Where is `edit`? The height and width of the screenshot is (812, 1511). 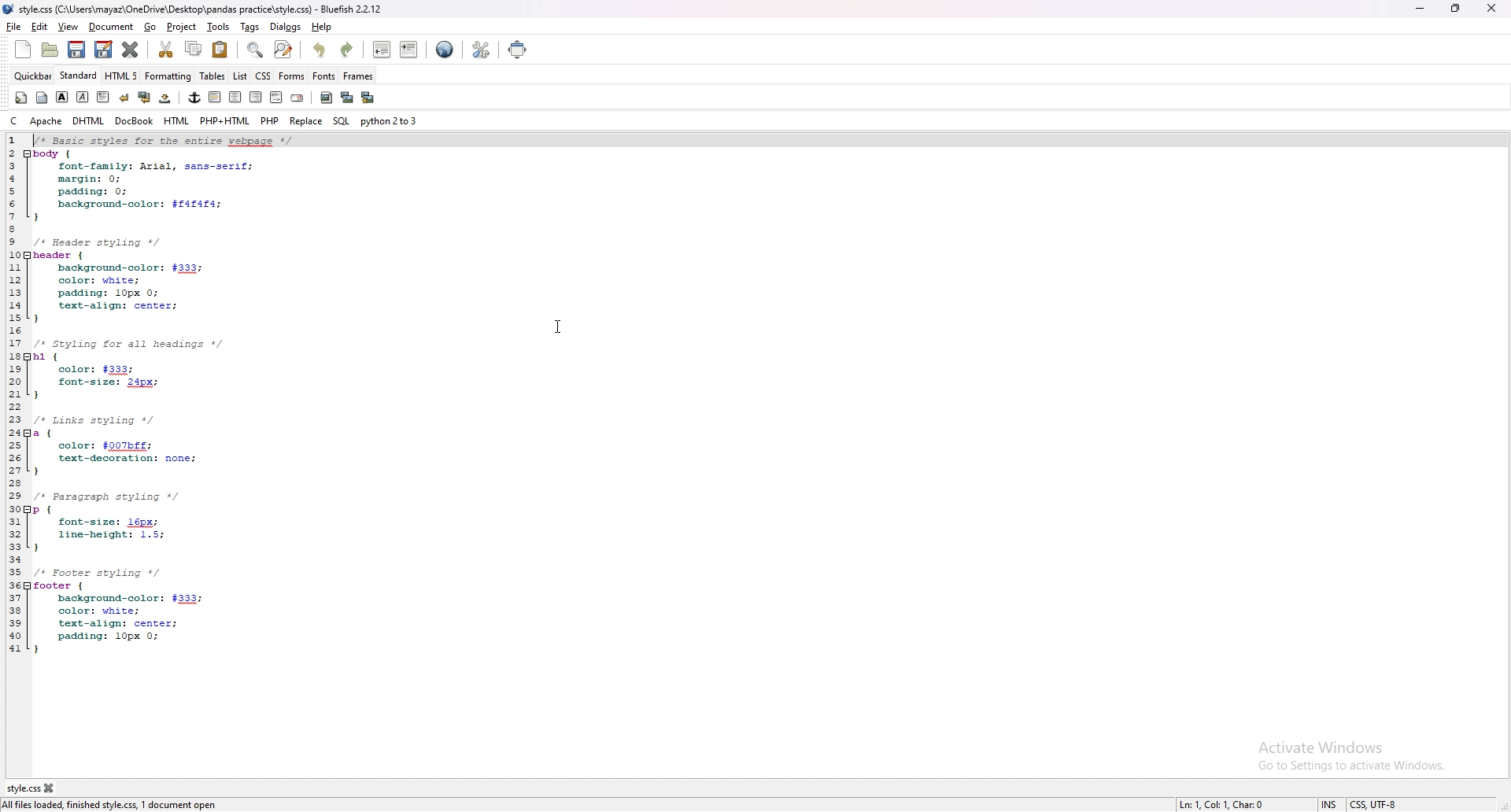 edit is located at coordinates (39, 28).